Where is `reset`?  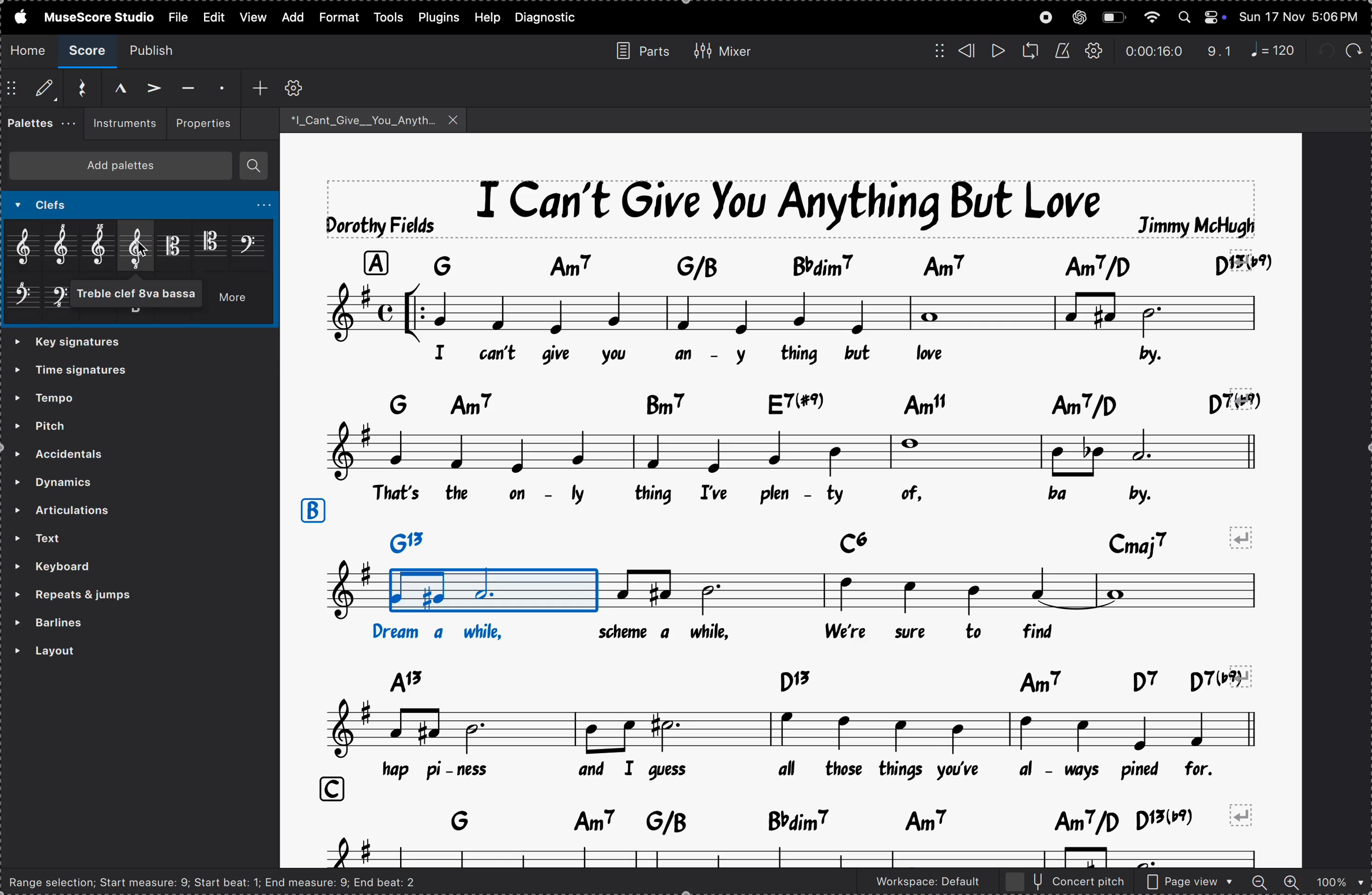
reset is located at coordinates (77, 88).